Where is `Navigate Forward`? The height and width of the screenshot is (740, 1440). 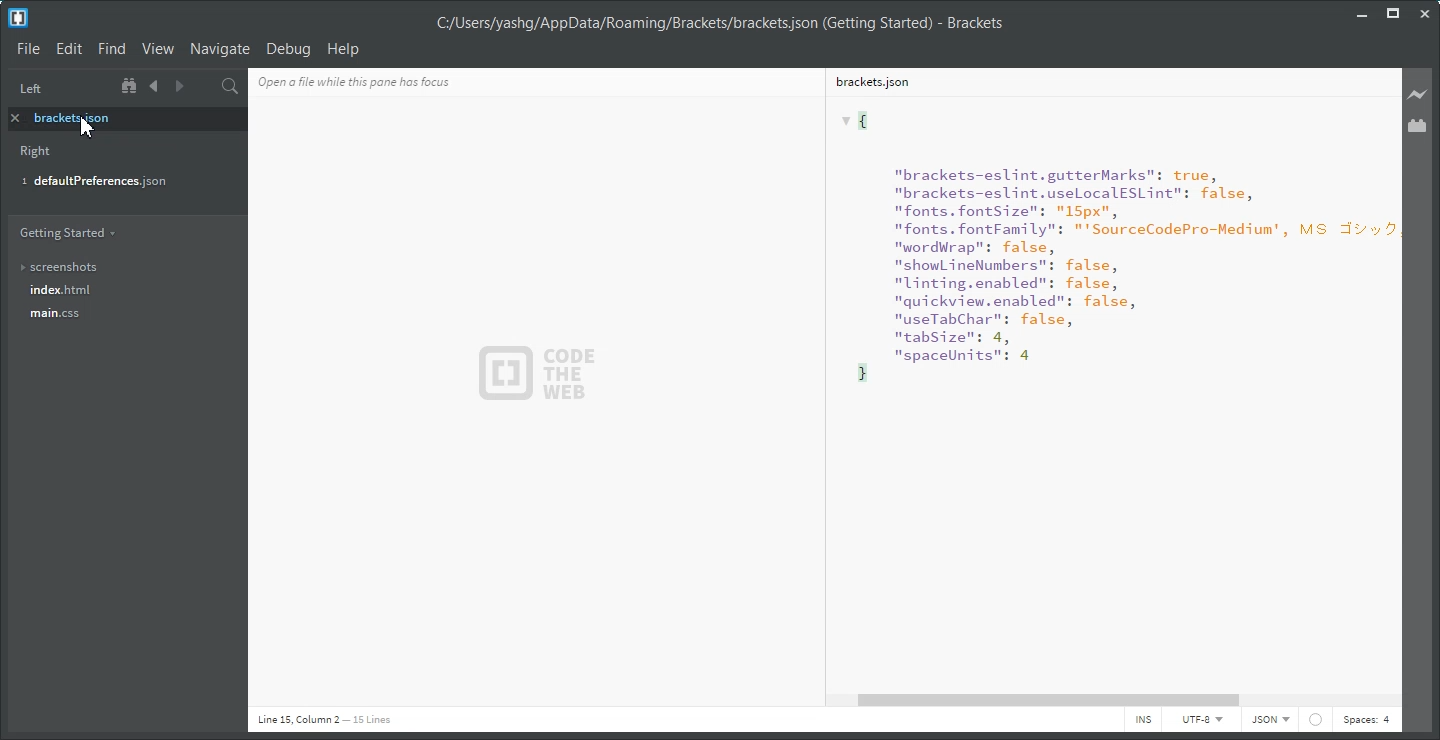
Navigate Forward is located at coordinates (177, 87).